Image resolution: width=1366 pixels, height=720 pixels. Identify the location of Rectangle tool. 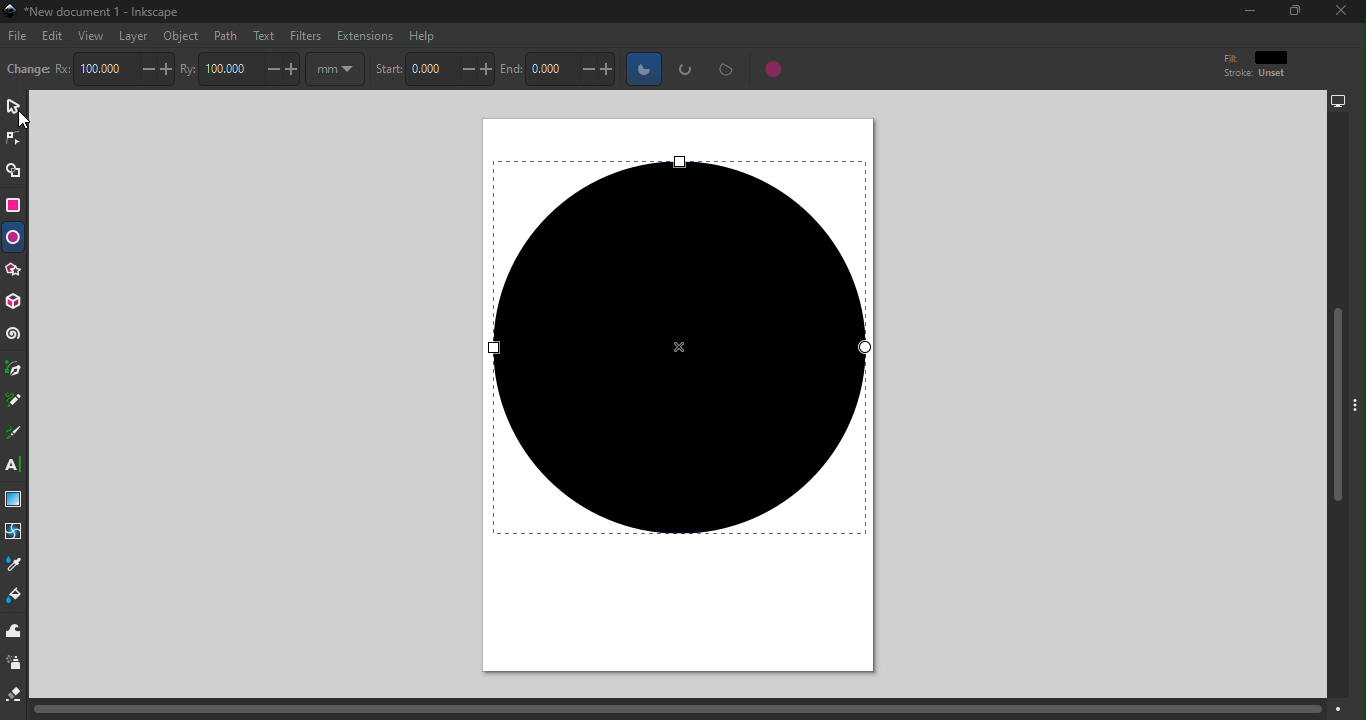
(15, 205).